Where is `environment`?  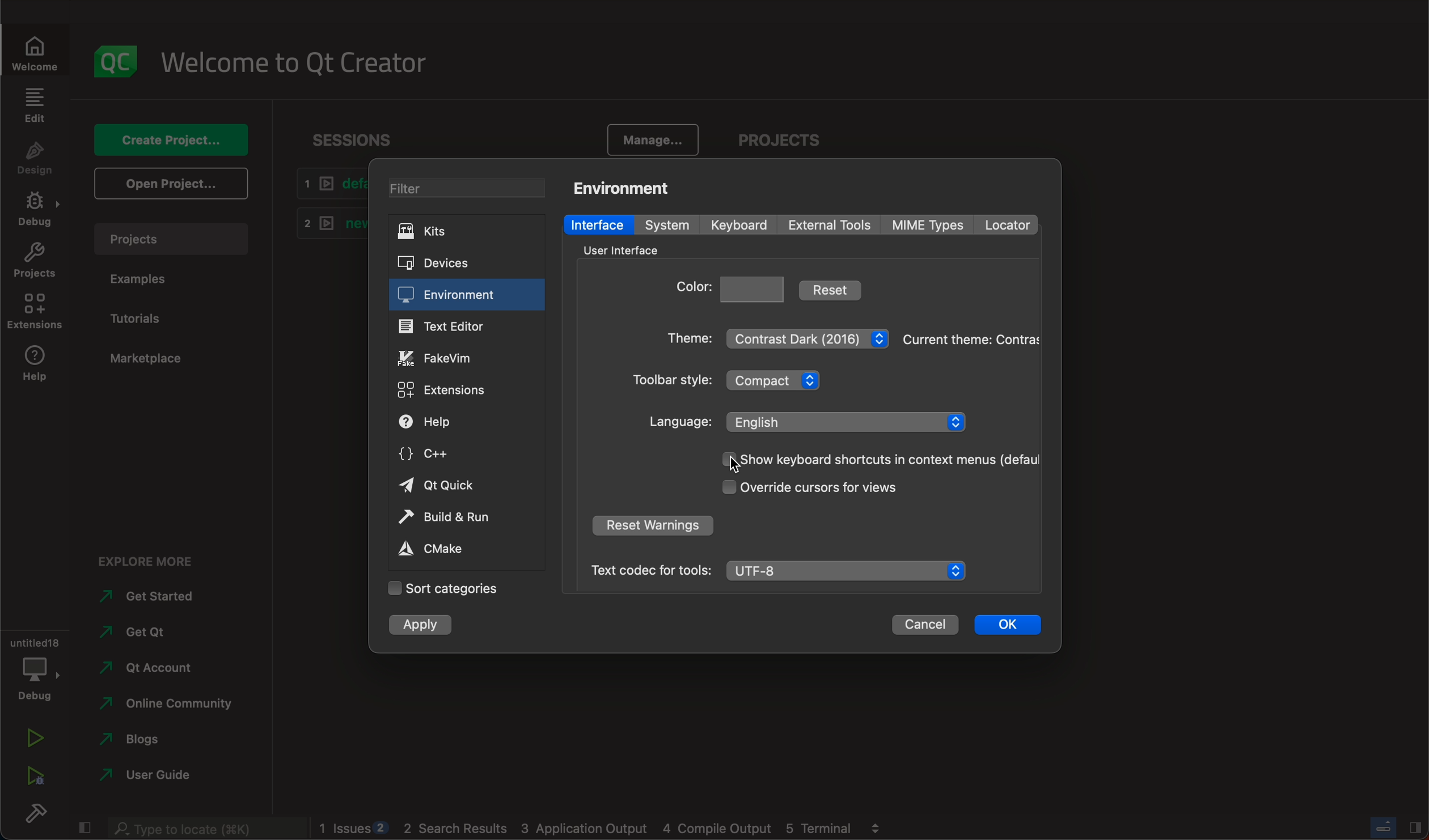 environment is located at coordinates (453, 296).